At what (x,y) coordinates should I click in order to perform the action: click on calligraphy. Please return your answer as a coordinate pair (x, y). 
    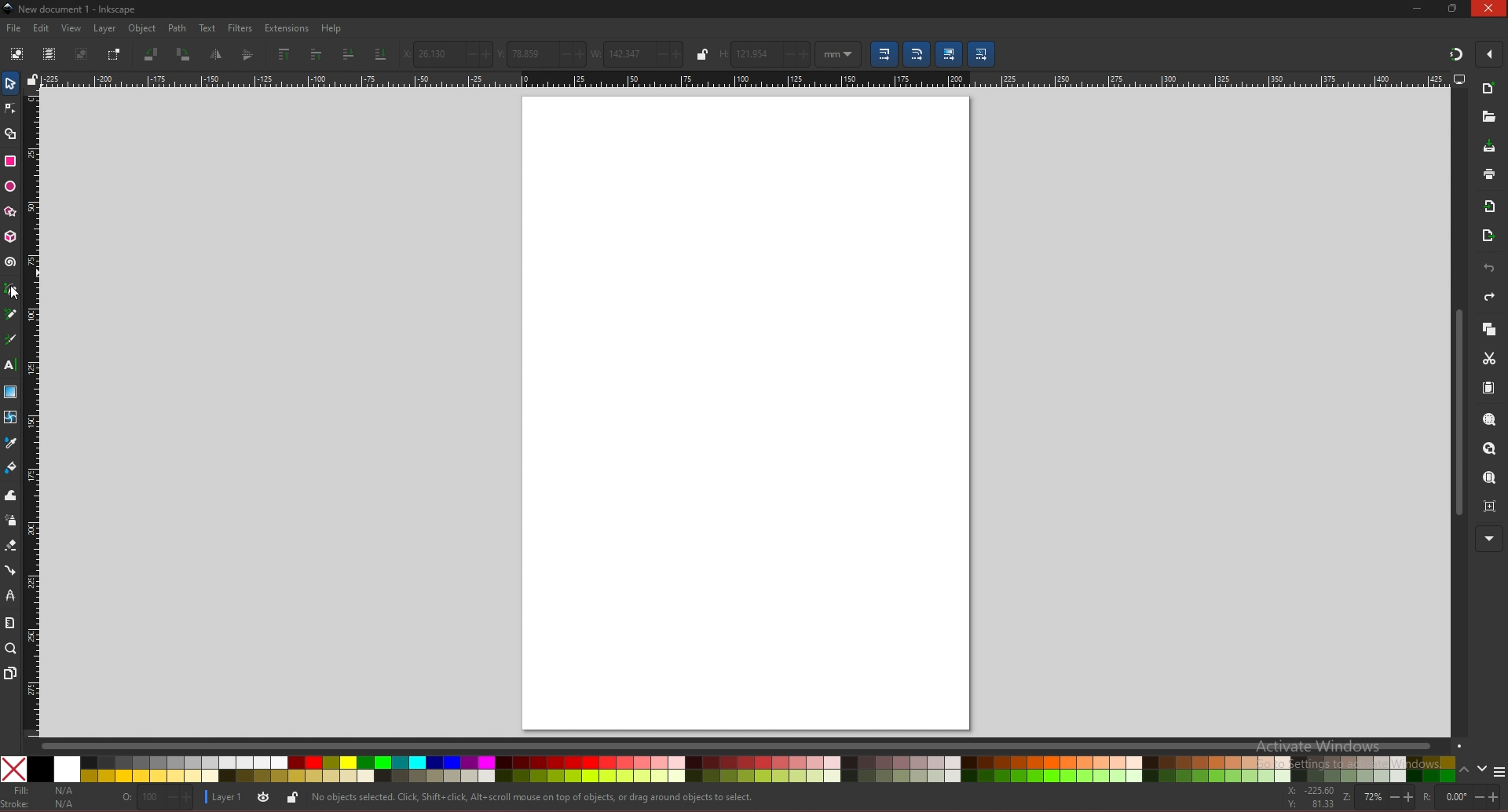
    Looking at the image, I should click on (13, 339).